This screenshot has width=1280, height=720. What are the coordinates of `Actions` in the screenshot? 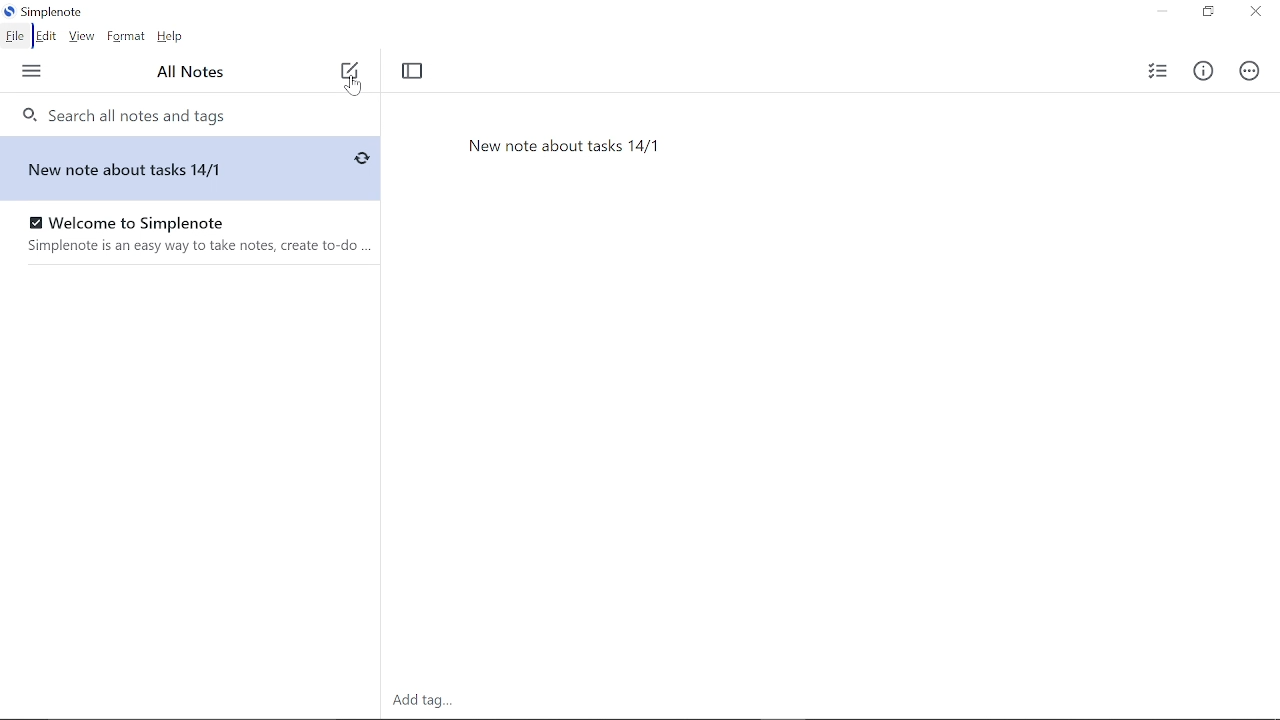 It's located at (1247, 71).